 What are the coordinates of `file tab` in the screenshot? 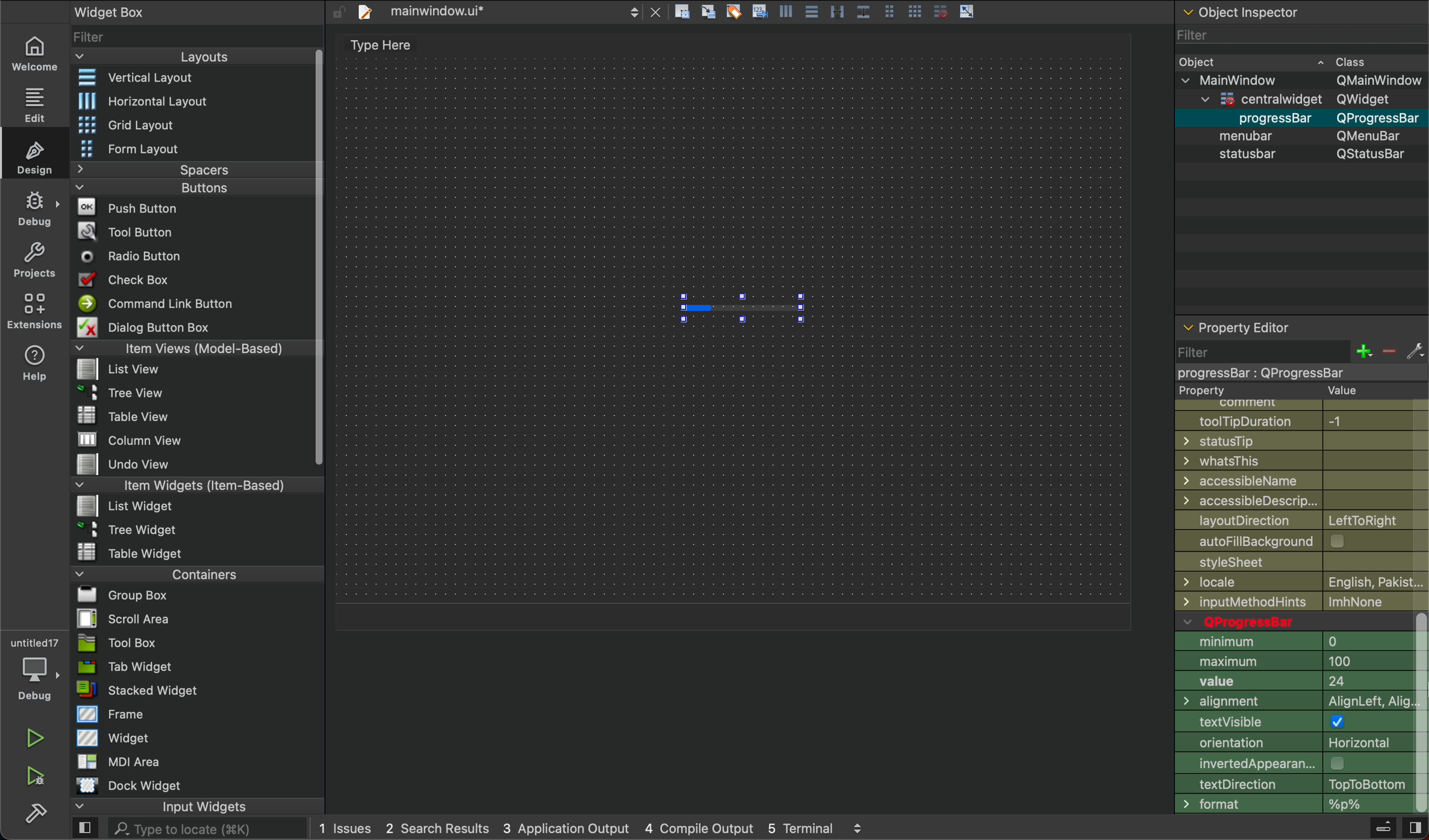 It's located at (508, 13).